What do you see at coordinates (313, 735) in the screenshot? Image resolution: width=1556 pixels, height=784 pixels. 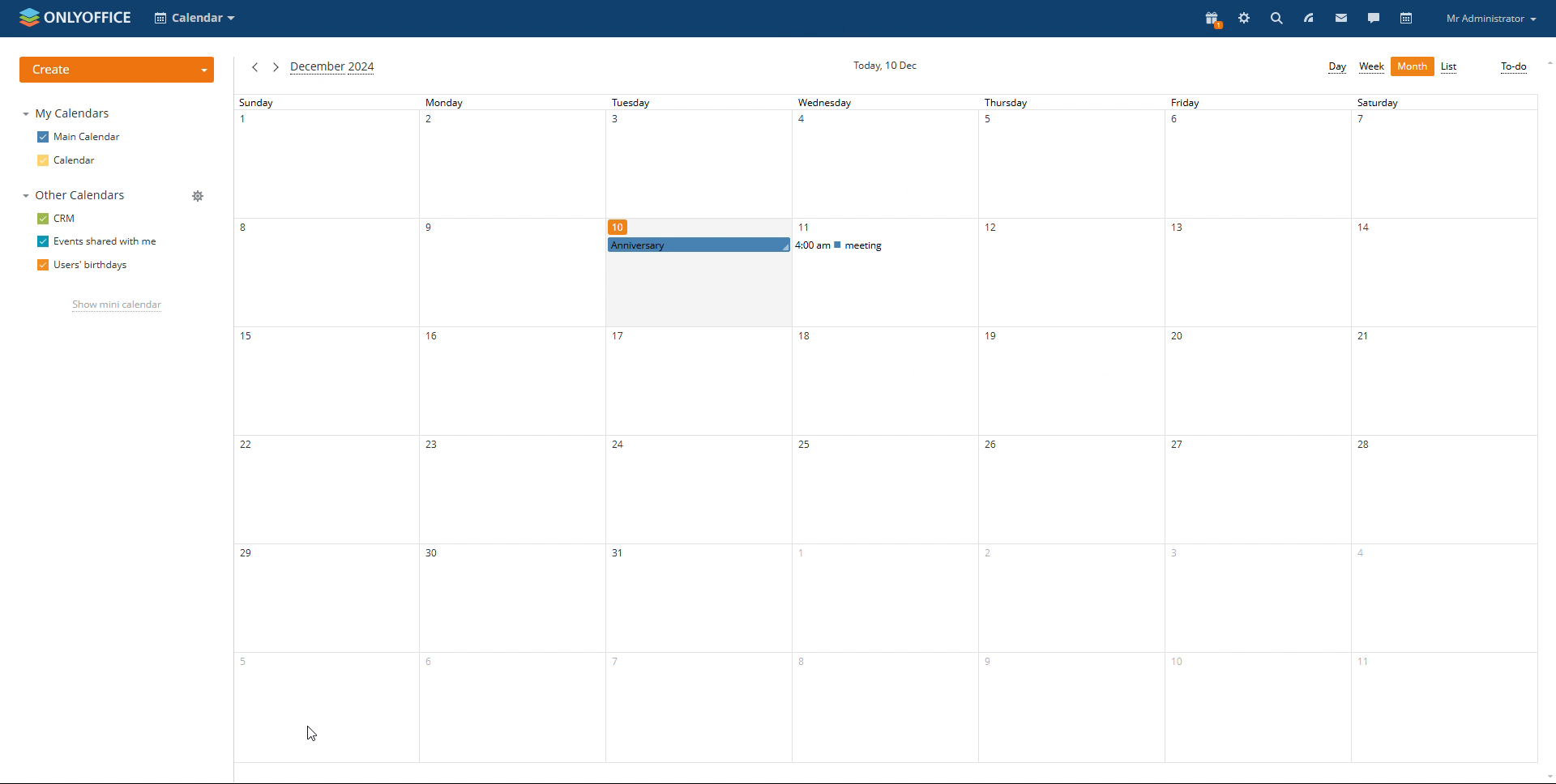 I see `cursor` at bounding box center [313, 735].